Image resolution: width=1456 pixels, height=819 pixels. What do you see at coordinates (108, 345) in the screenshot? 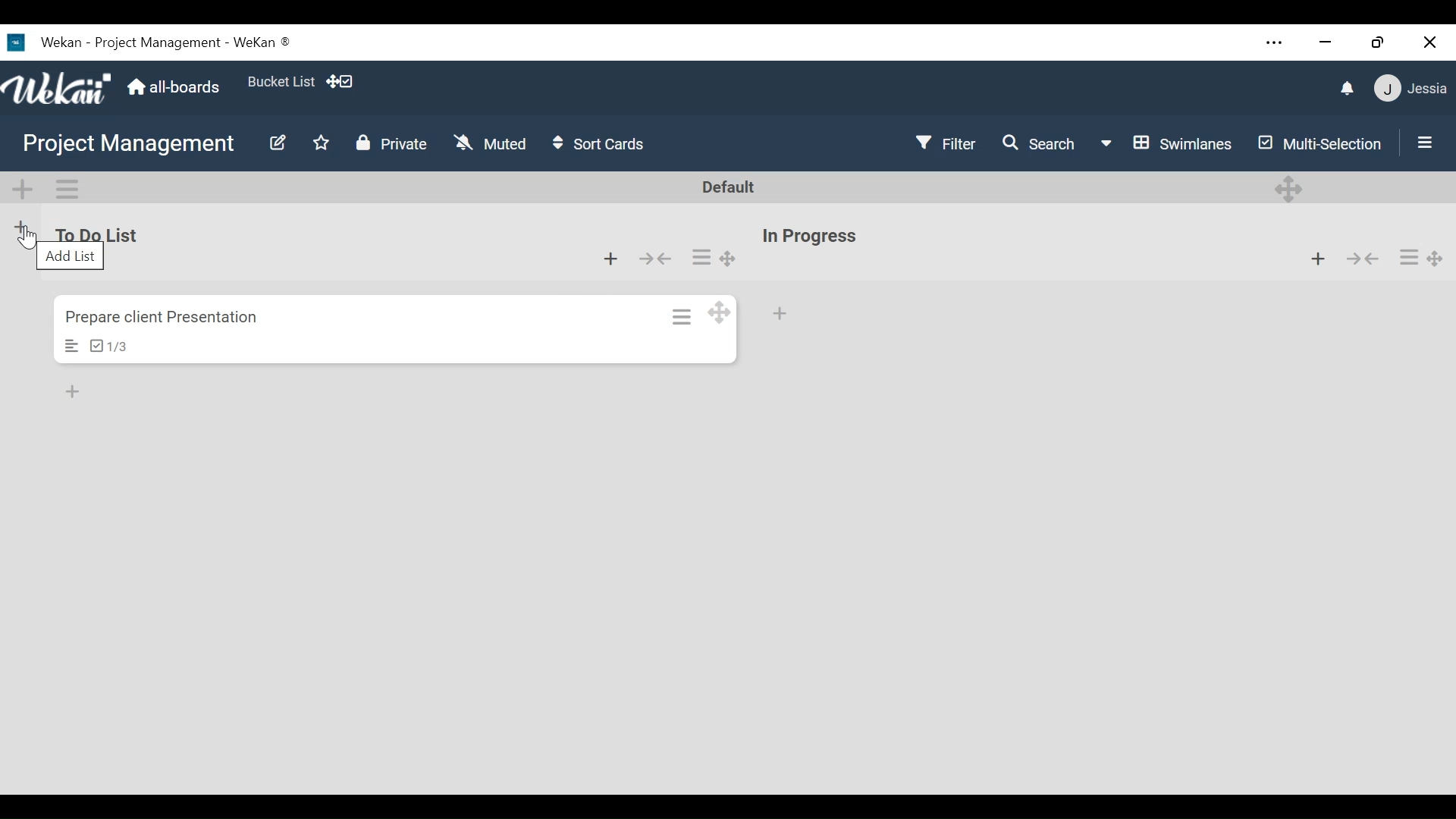
I see `Chacklist` at bounding box center [108, 345].